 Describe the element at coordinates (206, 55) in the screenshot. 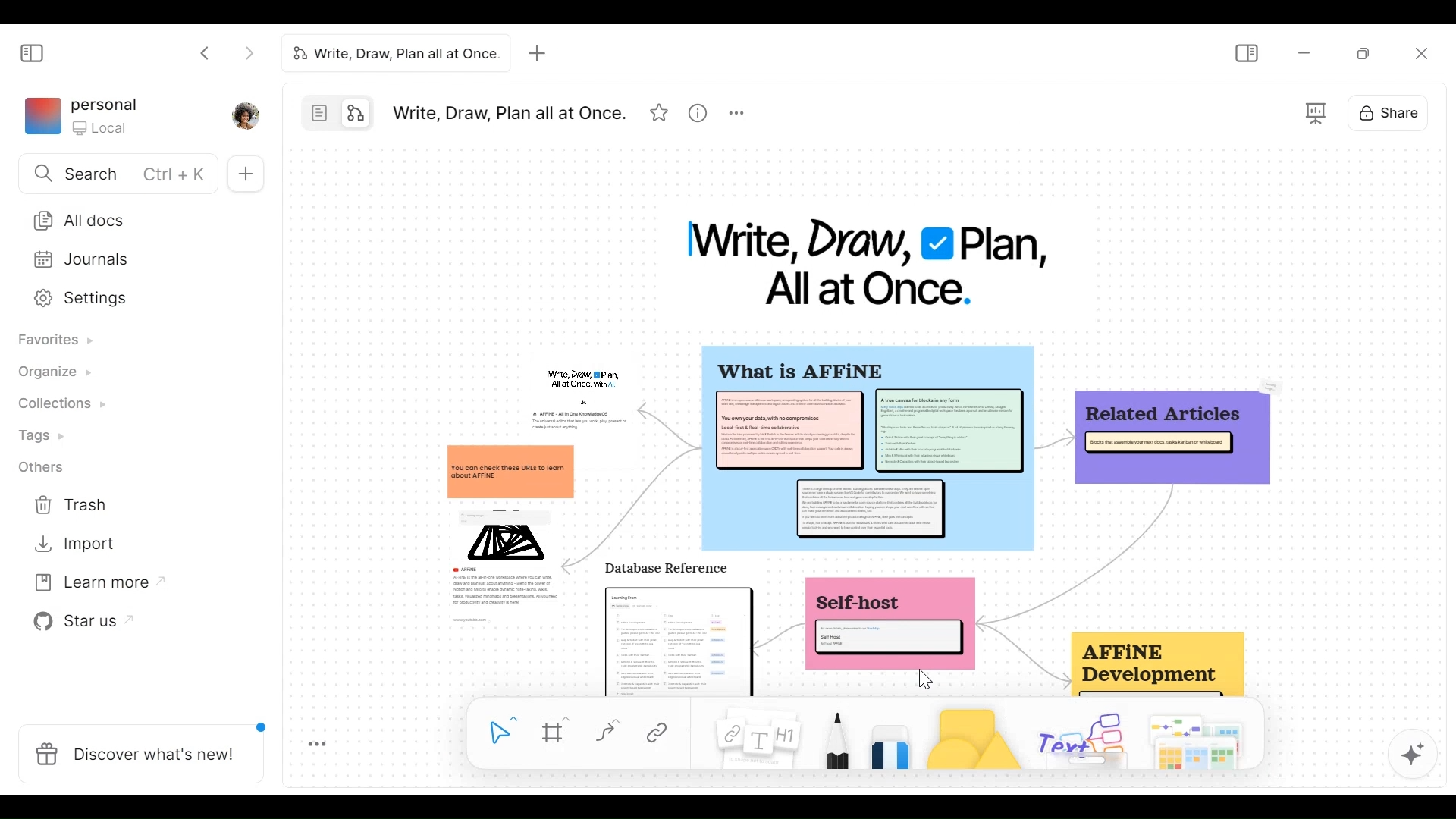

I see `Go back` at that location.